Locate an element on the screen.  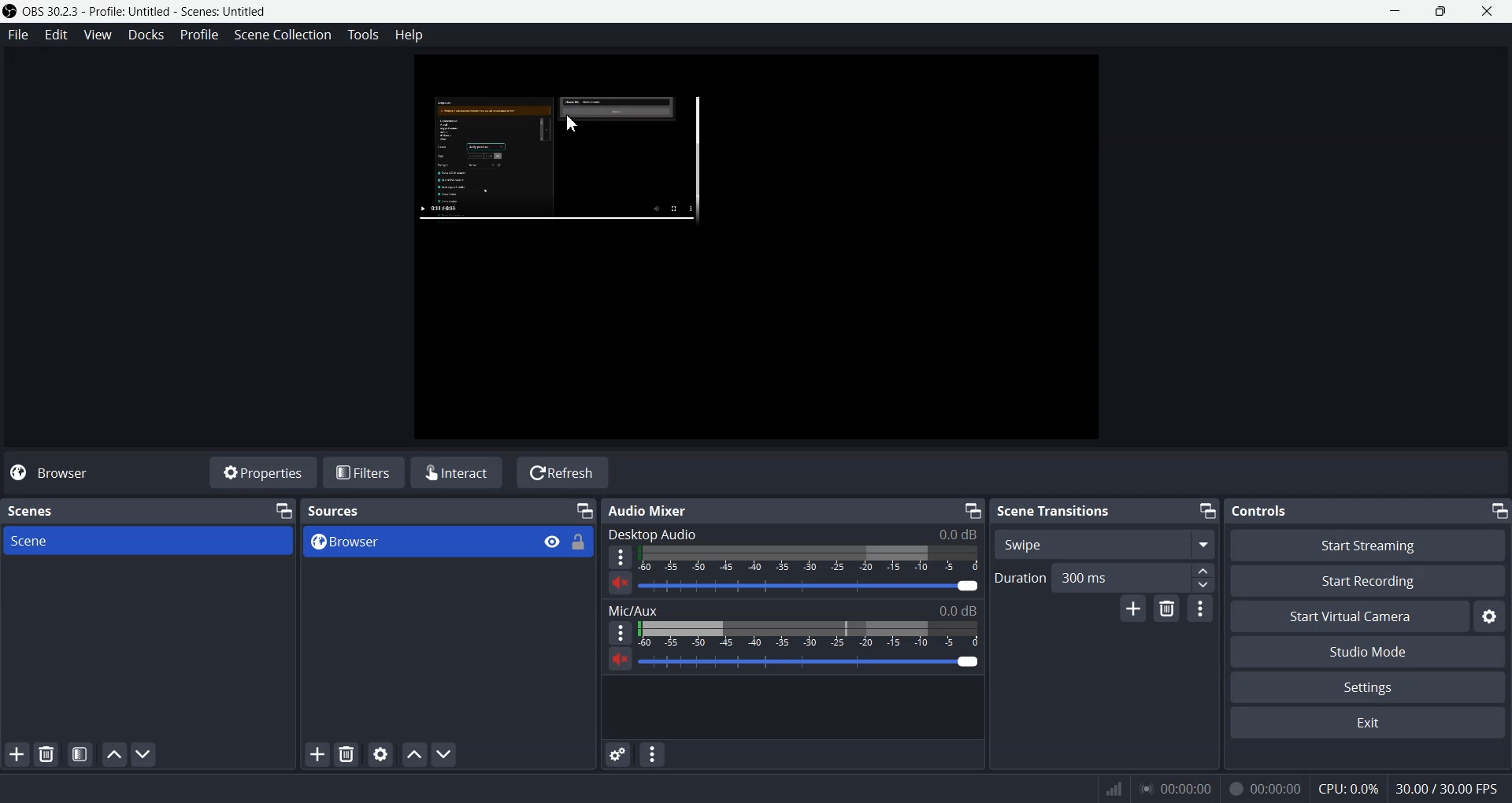
00:00:00 is located at coordinates (1176, 787).